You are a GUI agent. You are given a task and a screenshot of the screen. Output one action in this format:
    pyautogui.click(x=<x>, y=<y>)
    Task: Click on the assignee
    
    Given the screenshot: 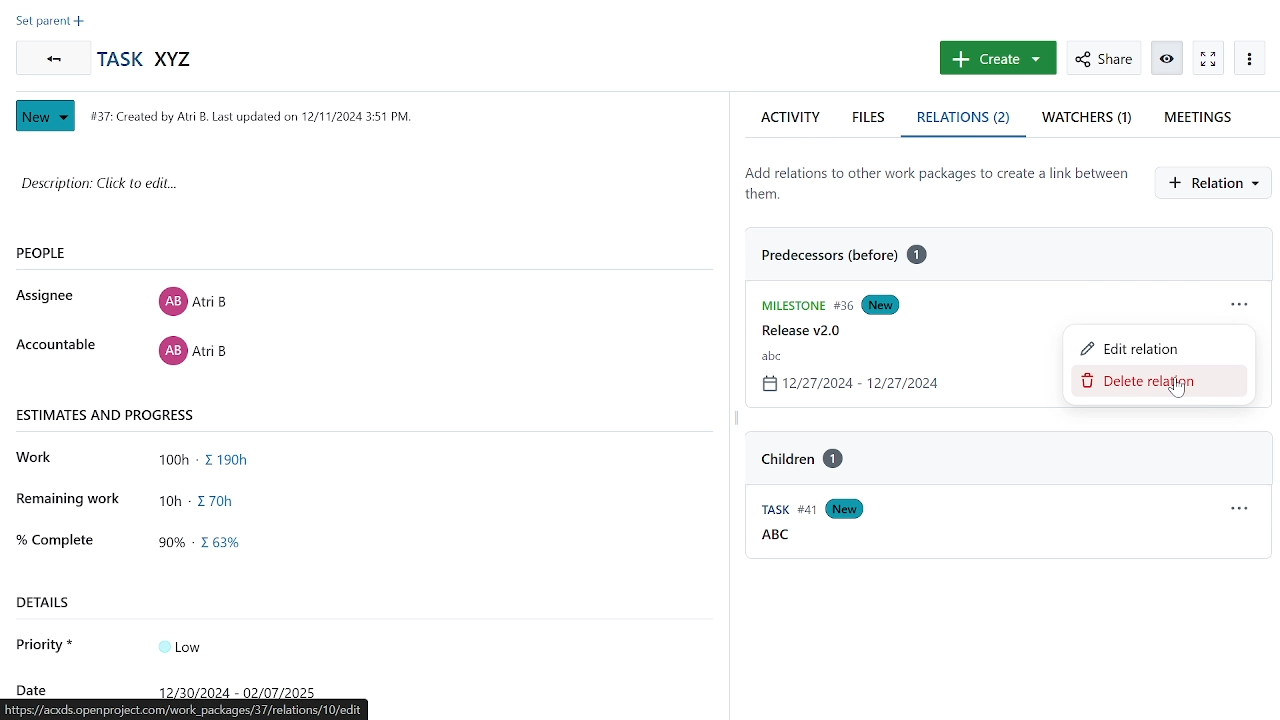 What is the action you would take?
    pyautogui.click(x=50, y=296)
    